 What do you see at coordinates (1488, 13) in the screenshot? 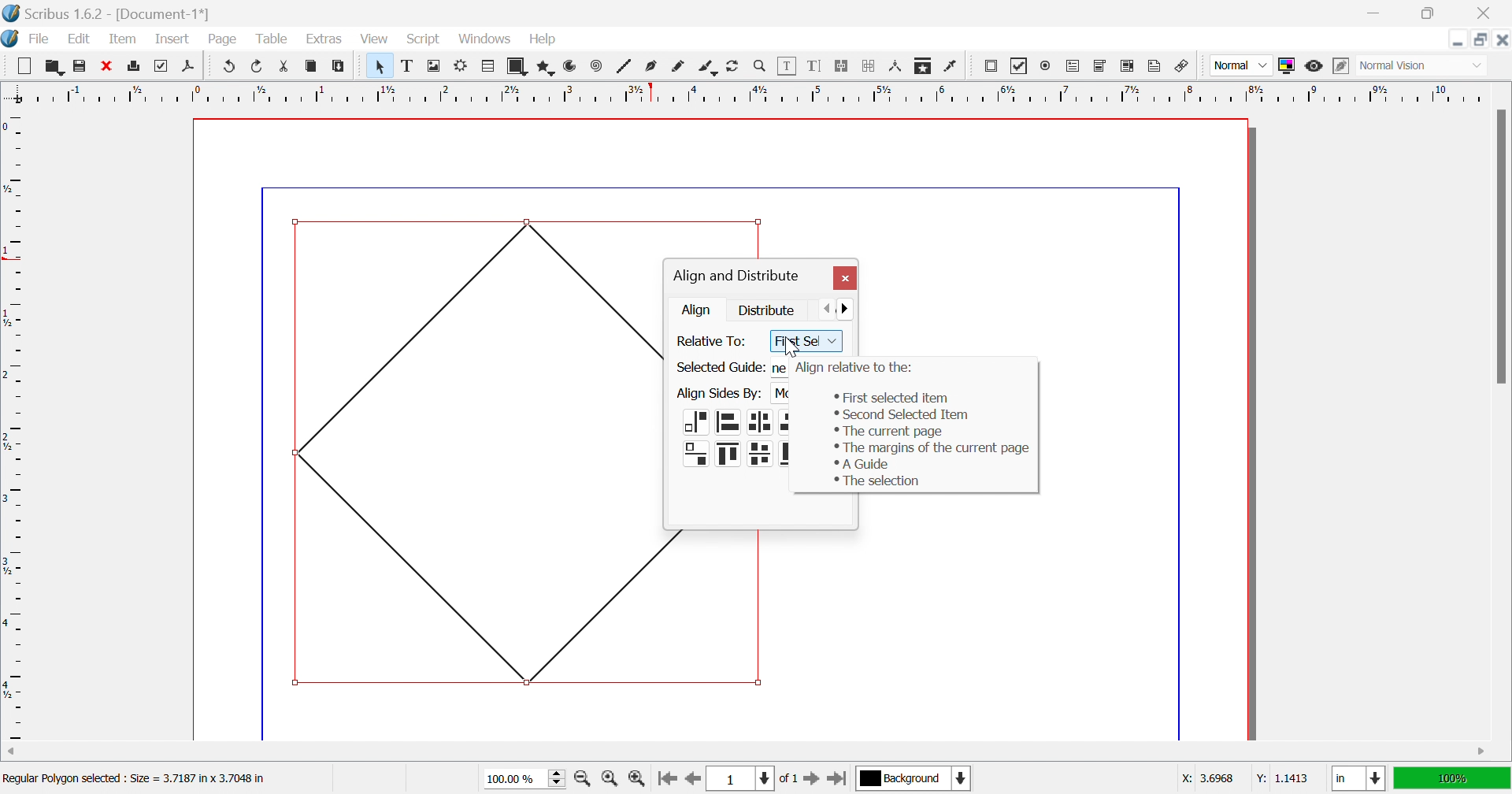
I see `Close` at bounding box center [1488, 13].